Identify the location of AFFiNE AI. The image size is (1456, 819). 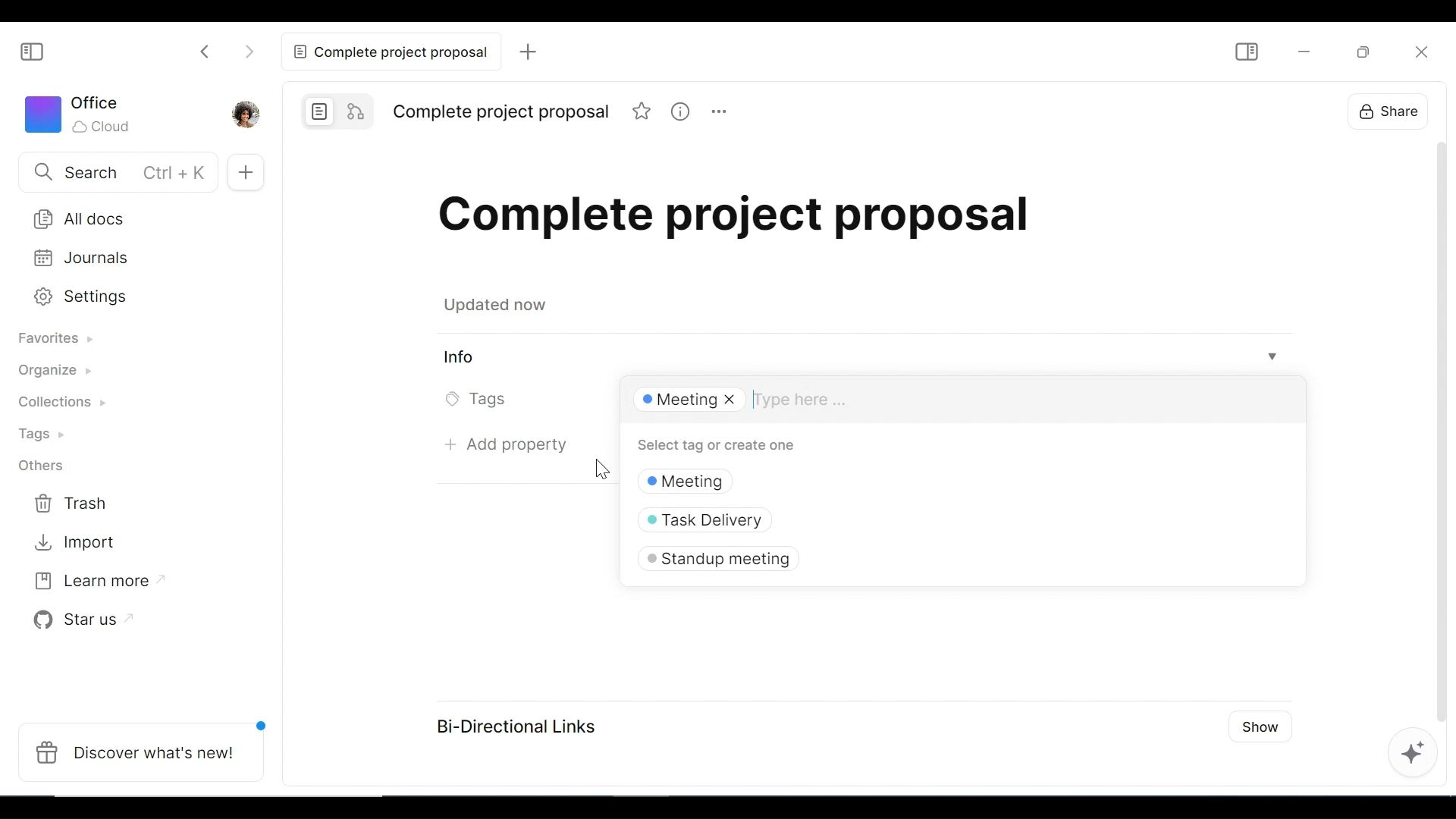
(1417, 753).